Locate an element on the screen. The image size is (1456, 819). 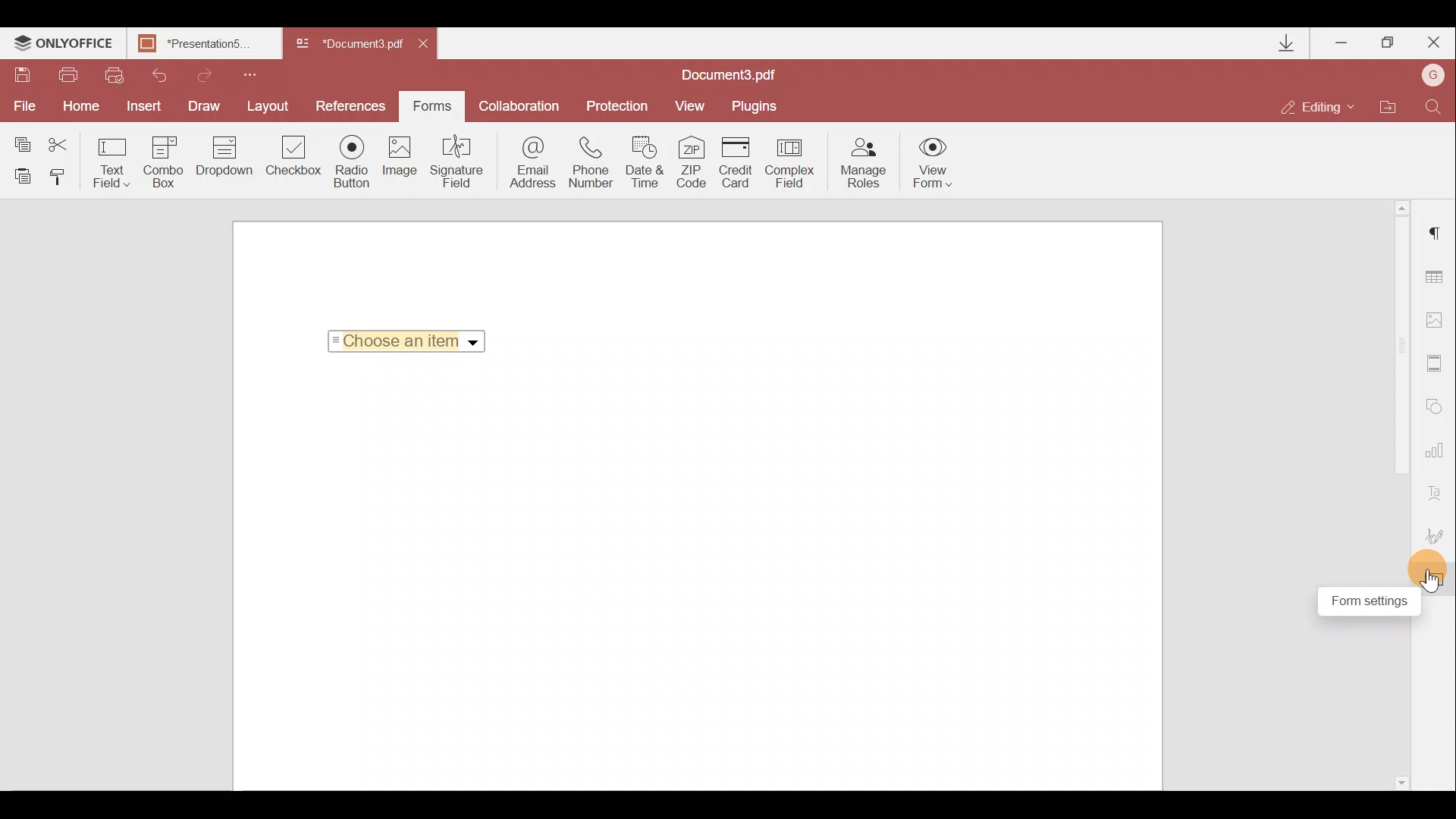
Close is located at coordinates (428, 41).